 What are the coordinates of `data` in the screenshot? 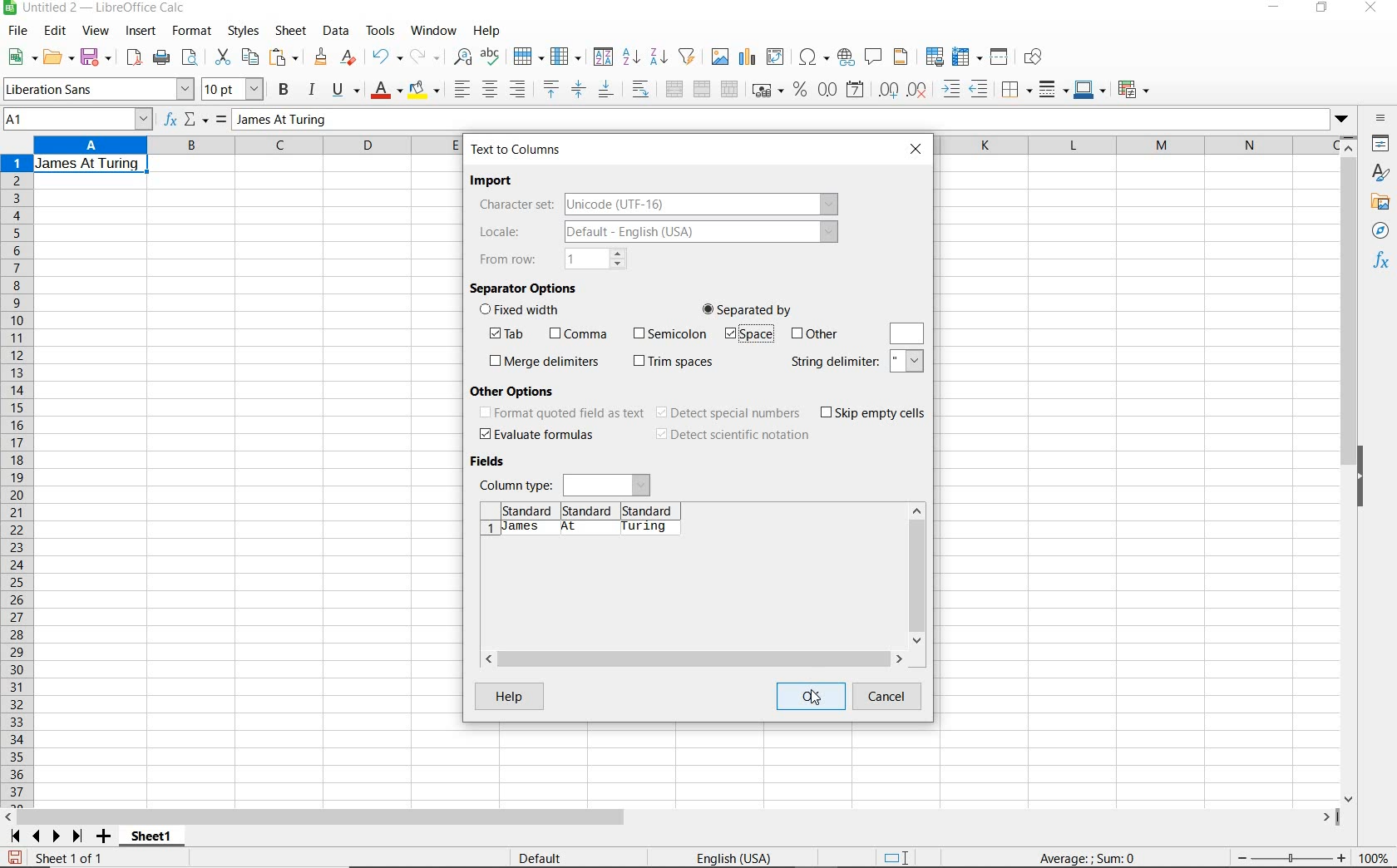 It's located at (337, 31).